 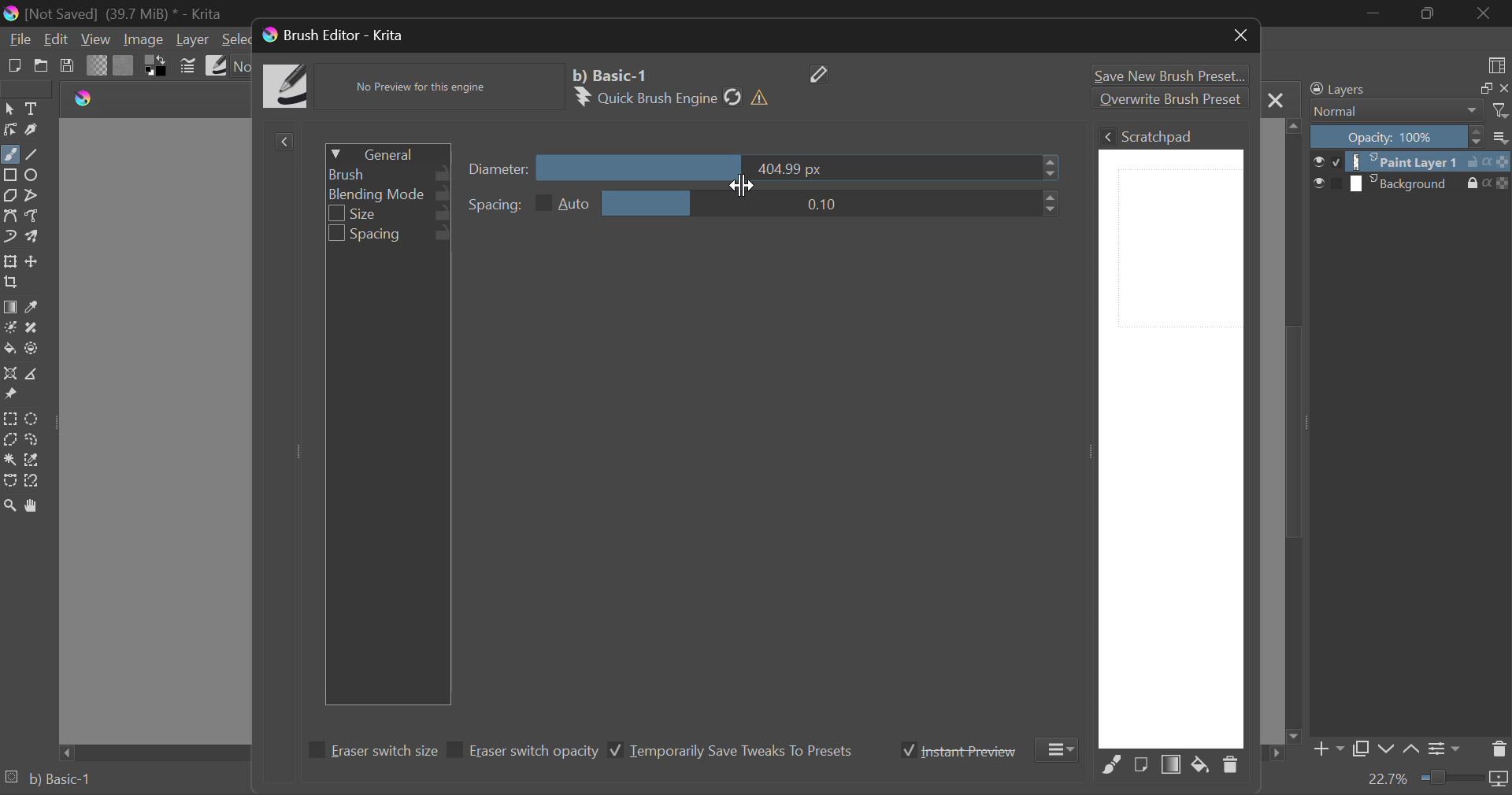 I want to click on Brush Scratchpad, so click(x=1171, y=436).